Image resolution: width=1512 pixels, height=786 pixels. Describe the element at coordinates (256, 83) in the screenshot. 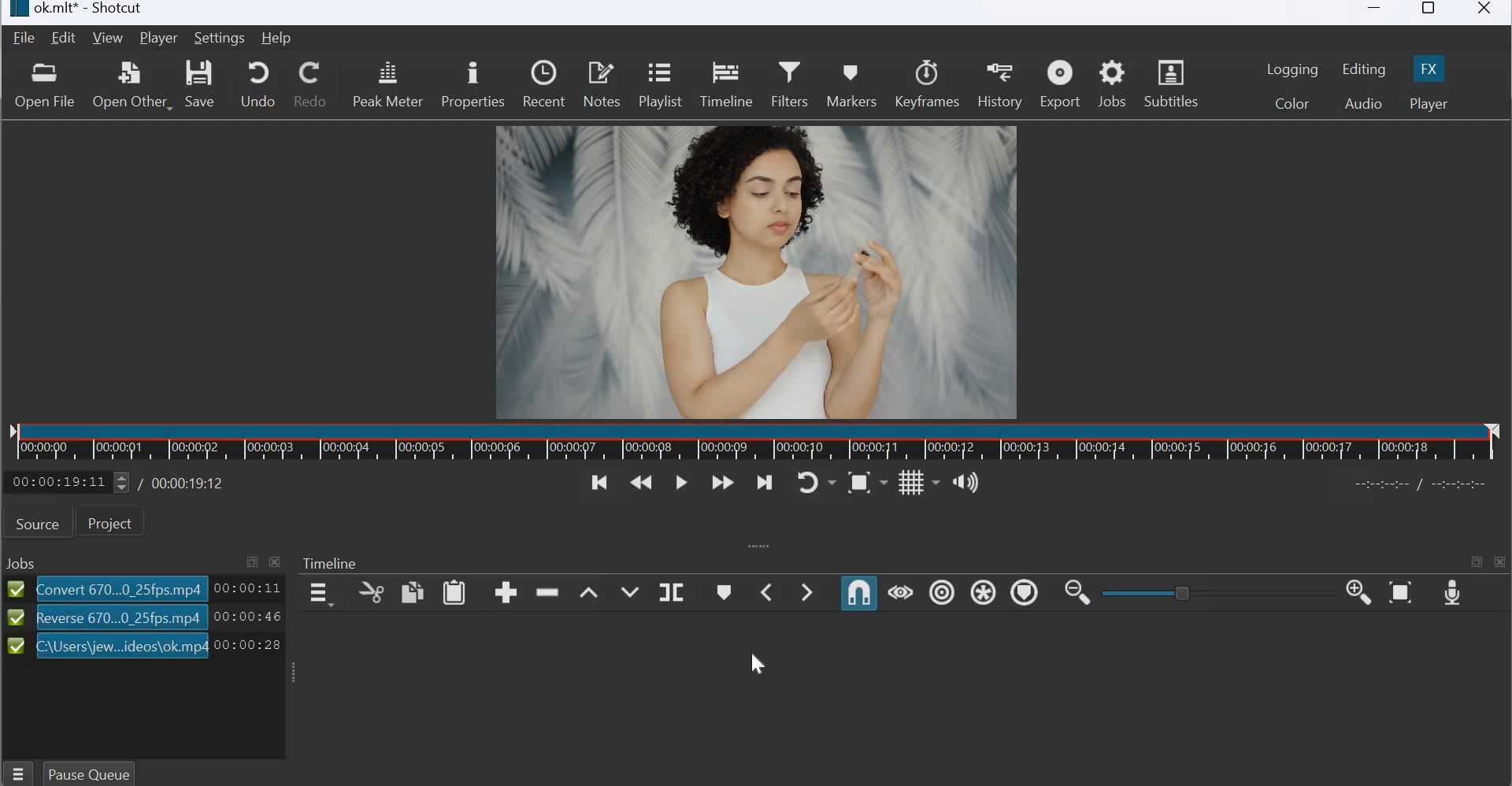

I see `Undo` at that location.